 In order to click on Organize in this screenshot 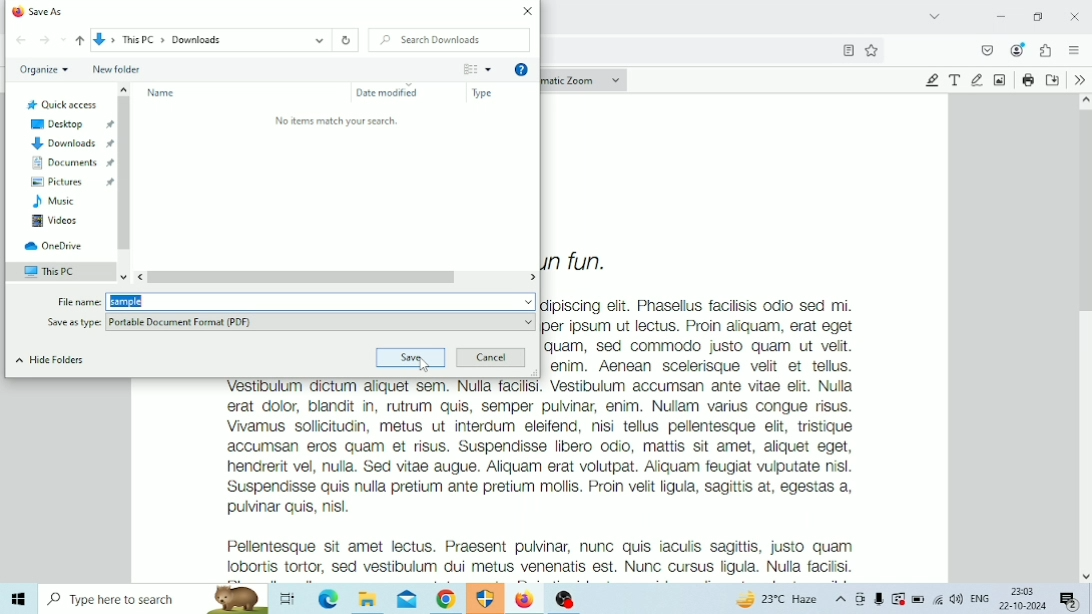, I will do `click(47, 70)`.